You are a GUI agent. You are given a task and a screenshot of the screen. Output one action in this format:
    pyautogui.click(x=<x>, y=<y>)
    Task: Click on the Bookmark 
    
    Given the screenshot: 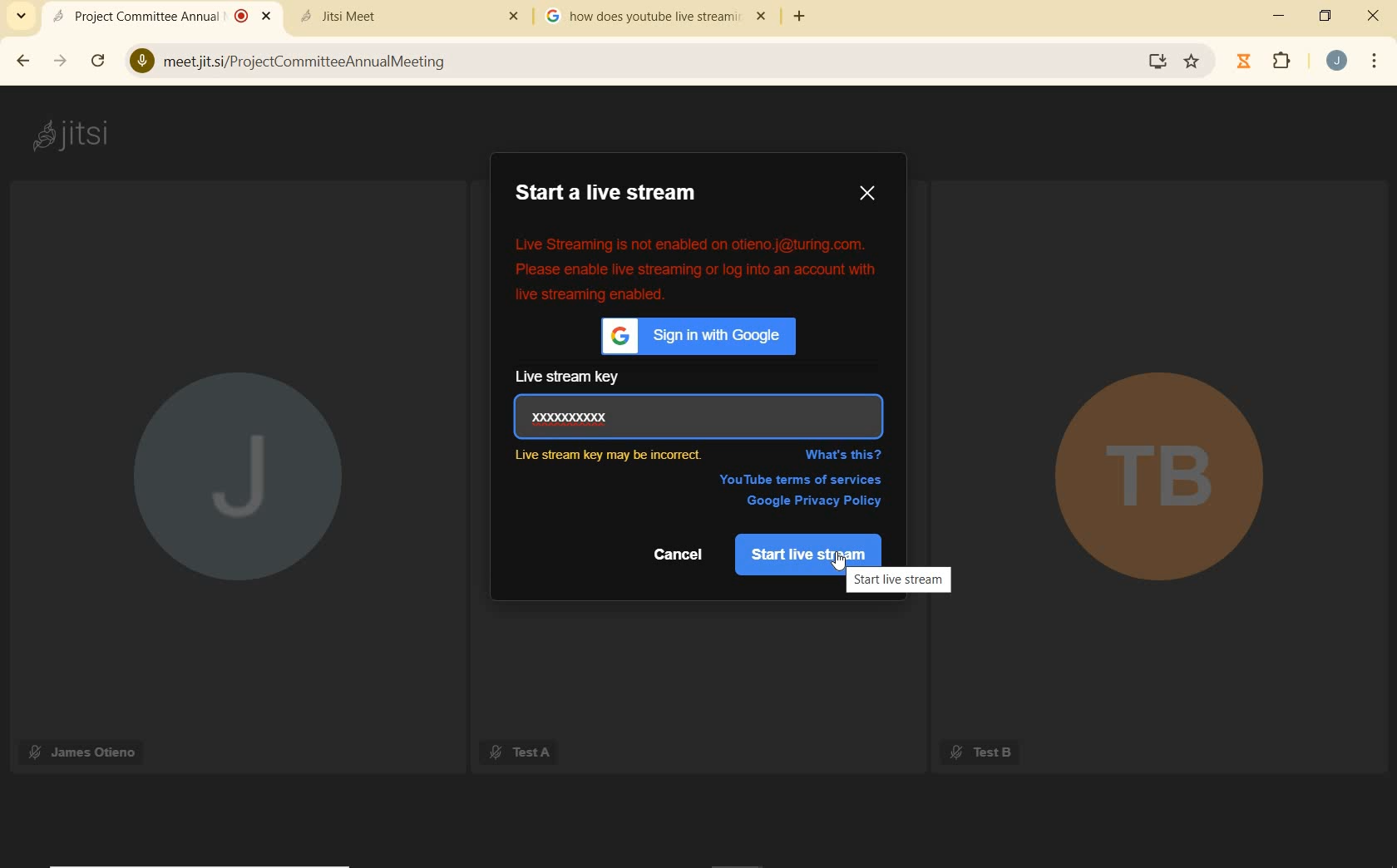 What is the action you would take?
    pyautogui.click(x=1192, y=62)
    